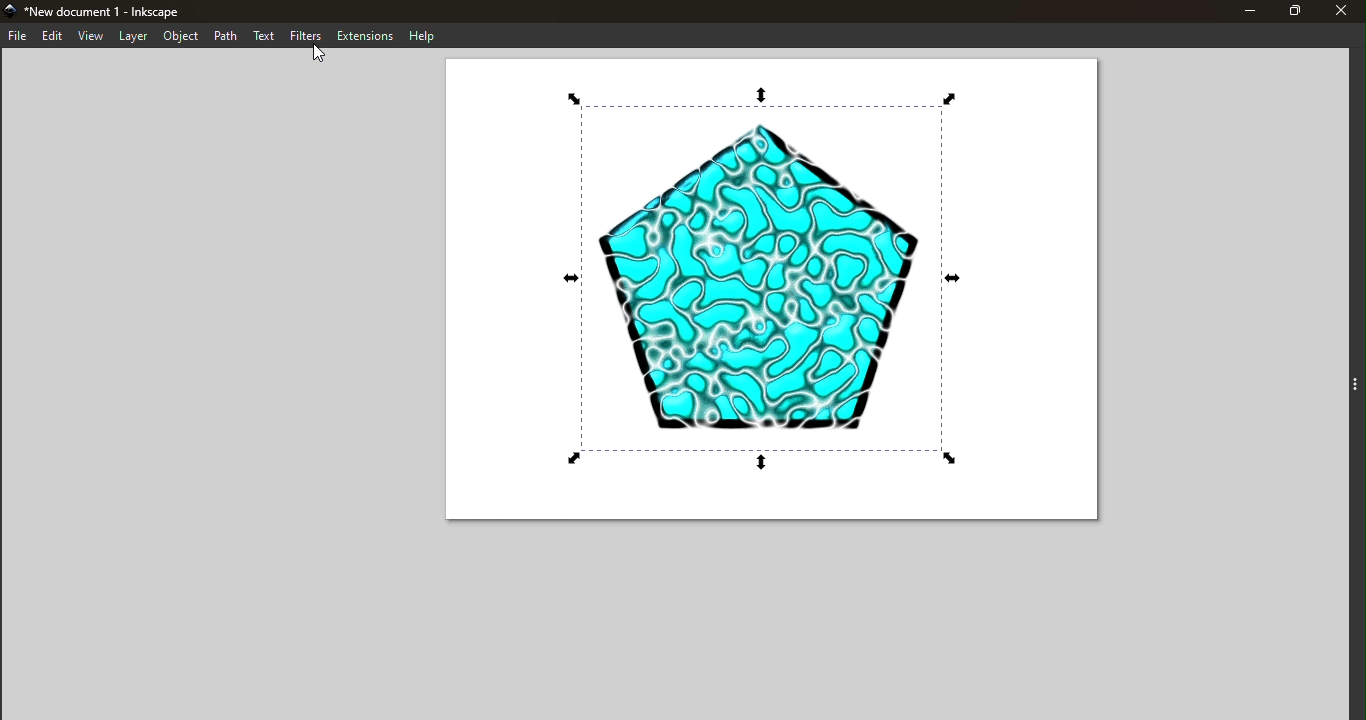 This screenshot has width=1366, height=720. Describe the element at coordinates (265, 37) in the screenshot. I see `Text` at that location.